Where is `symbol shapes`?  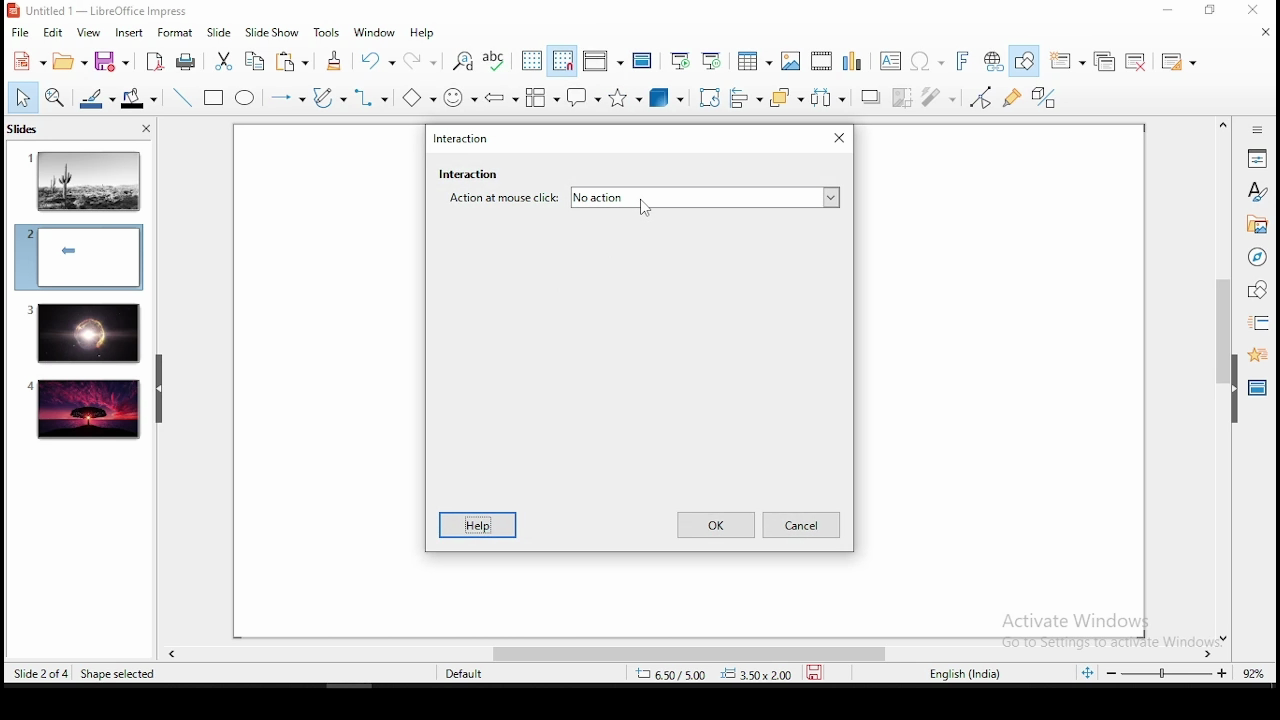 symbol shapes is located at coordinates (460, 98).